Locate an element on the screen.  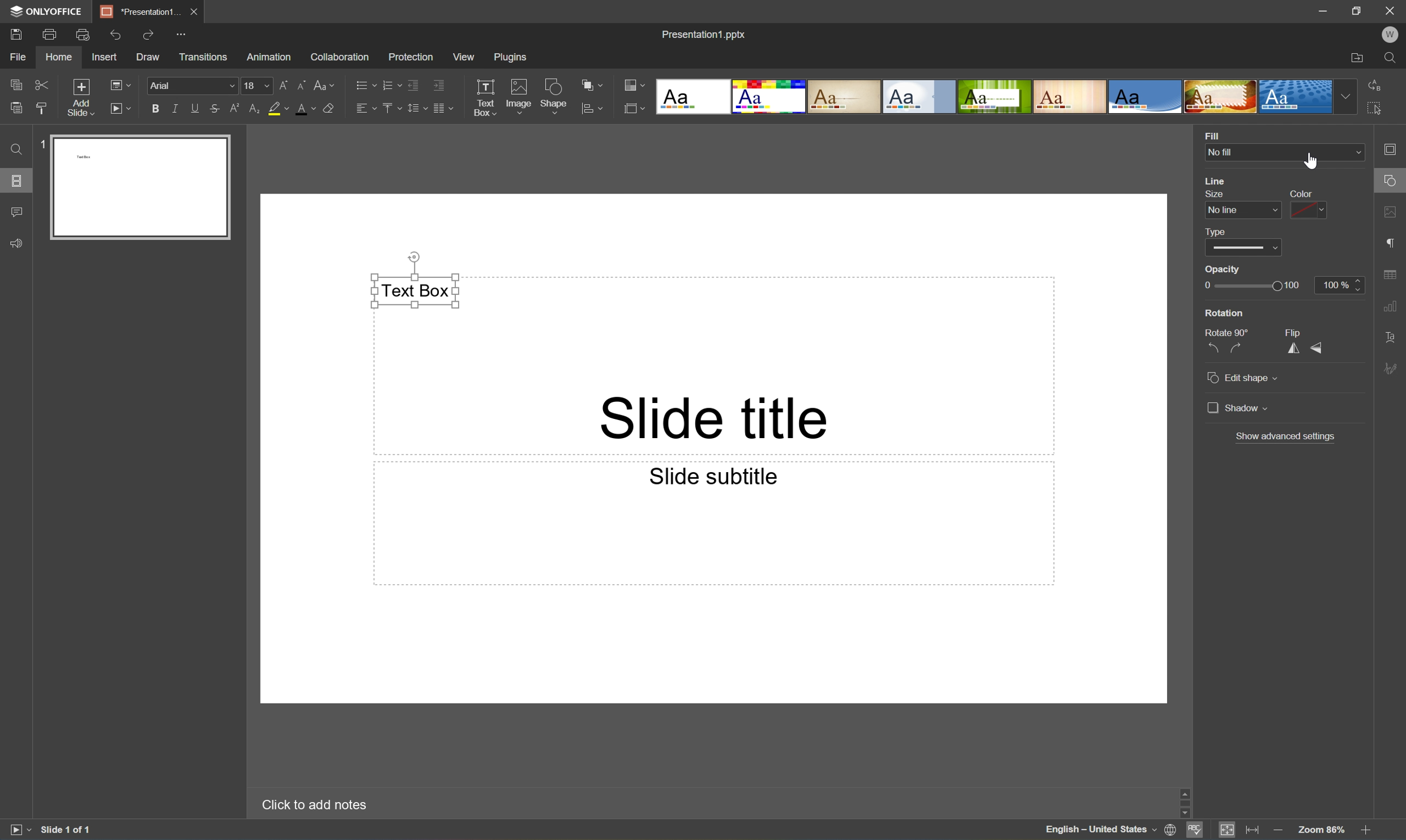
Drop Down is located at coordinates (1343, 96).